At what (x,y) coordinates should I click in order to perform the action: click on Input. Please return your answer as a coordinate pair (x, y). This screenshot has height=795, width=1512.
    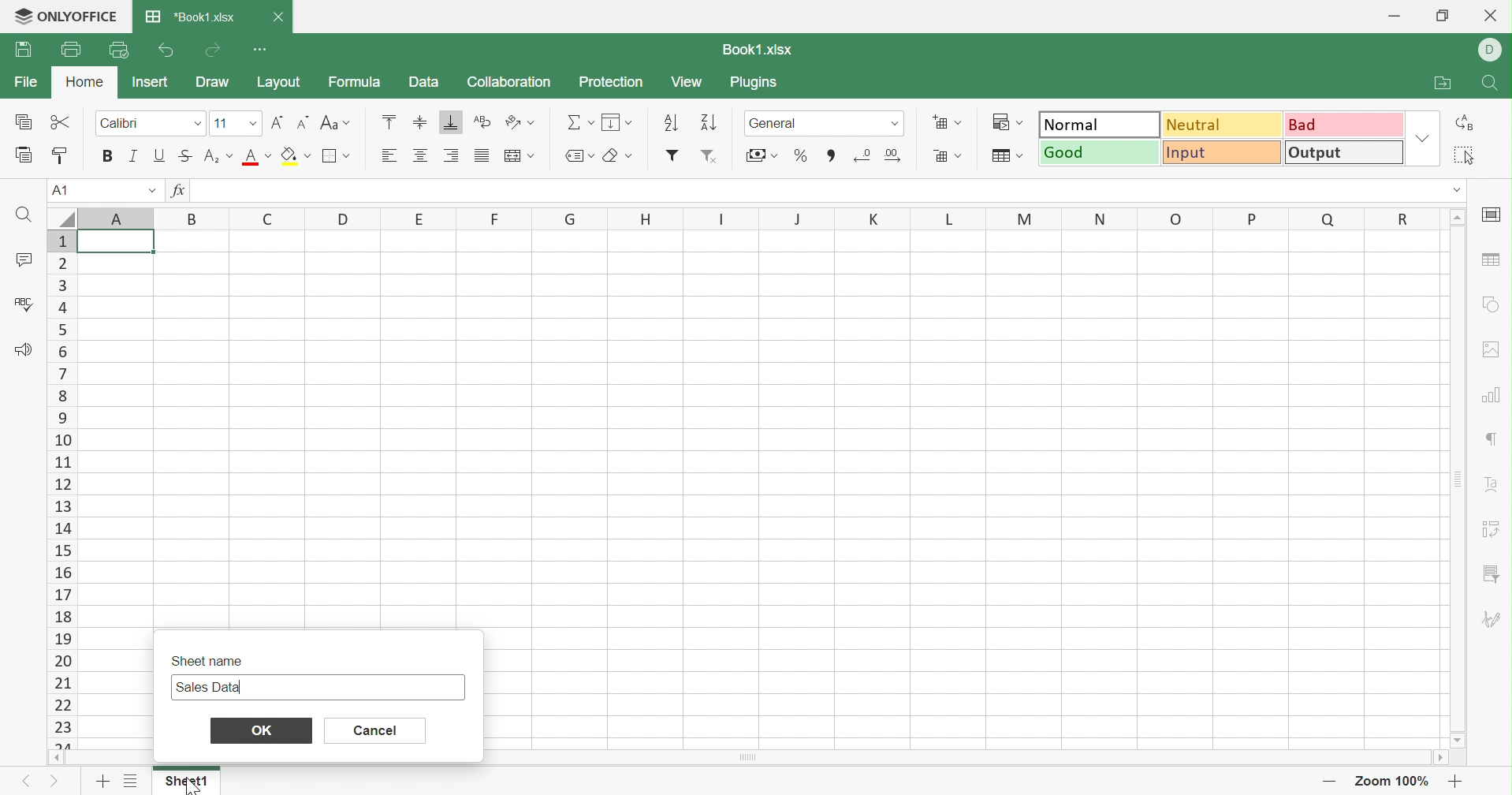
    Looking at the image, I should click on (1224, 153).